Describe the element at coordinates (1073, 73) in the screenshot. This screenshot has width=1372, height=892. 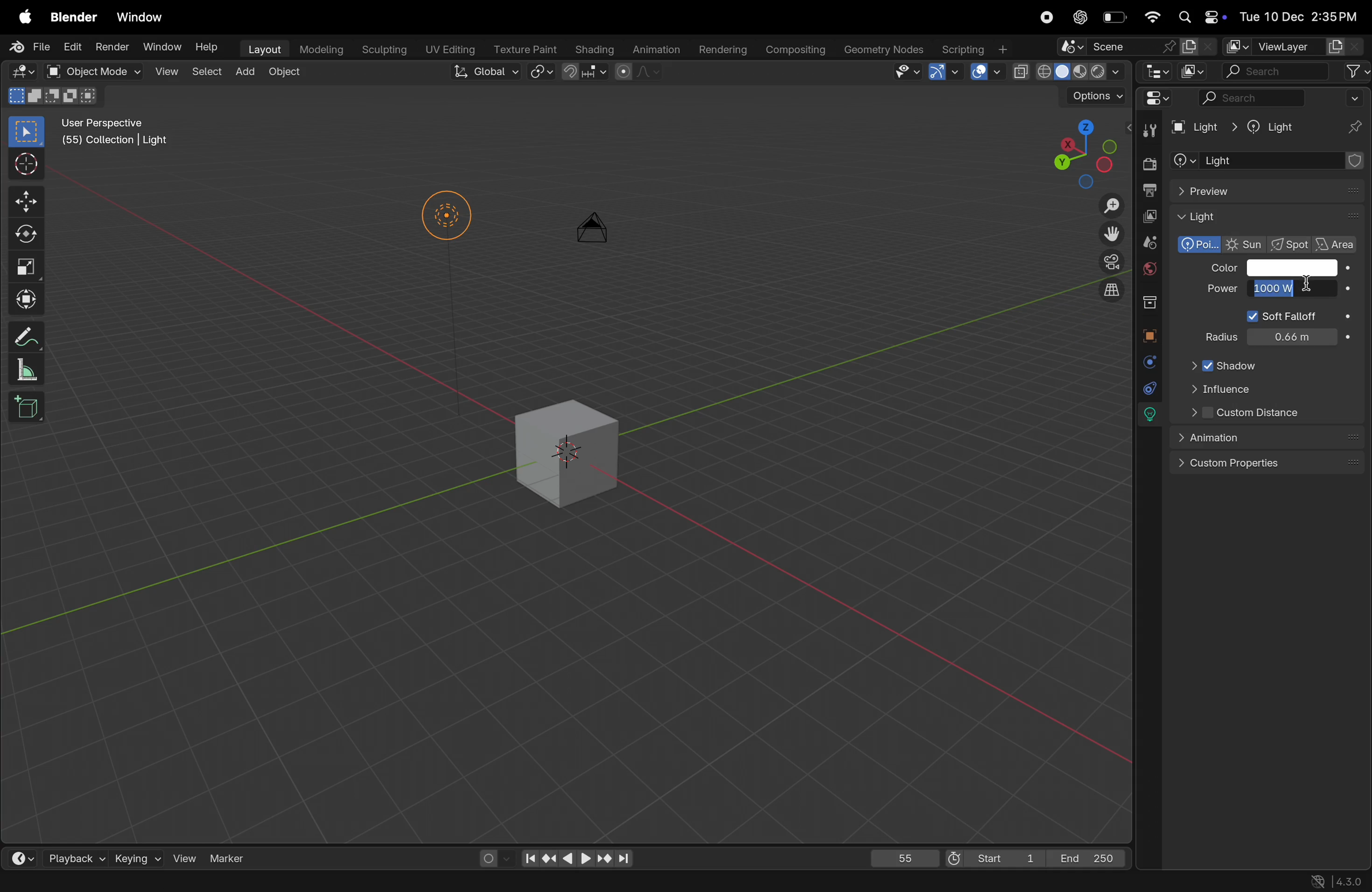
I see `view port shading` at that location.